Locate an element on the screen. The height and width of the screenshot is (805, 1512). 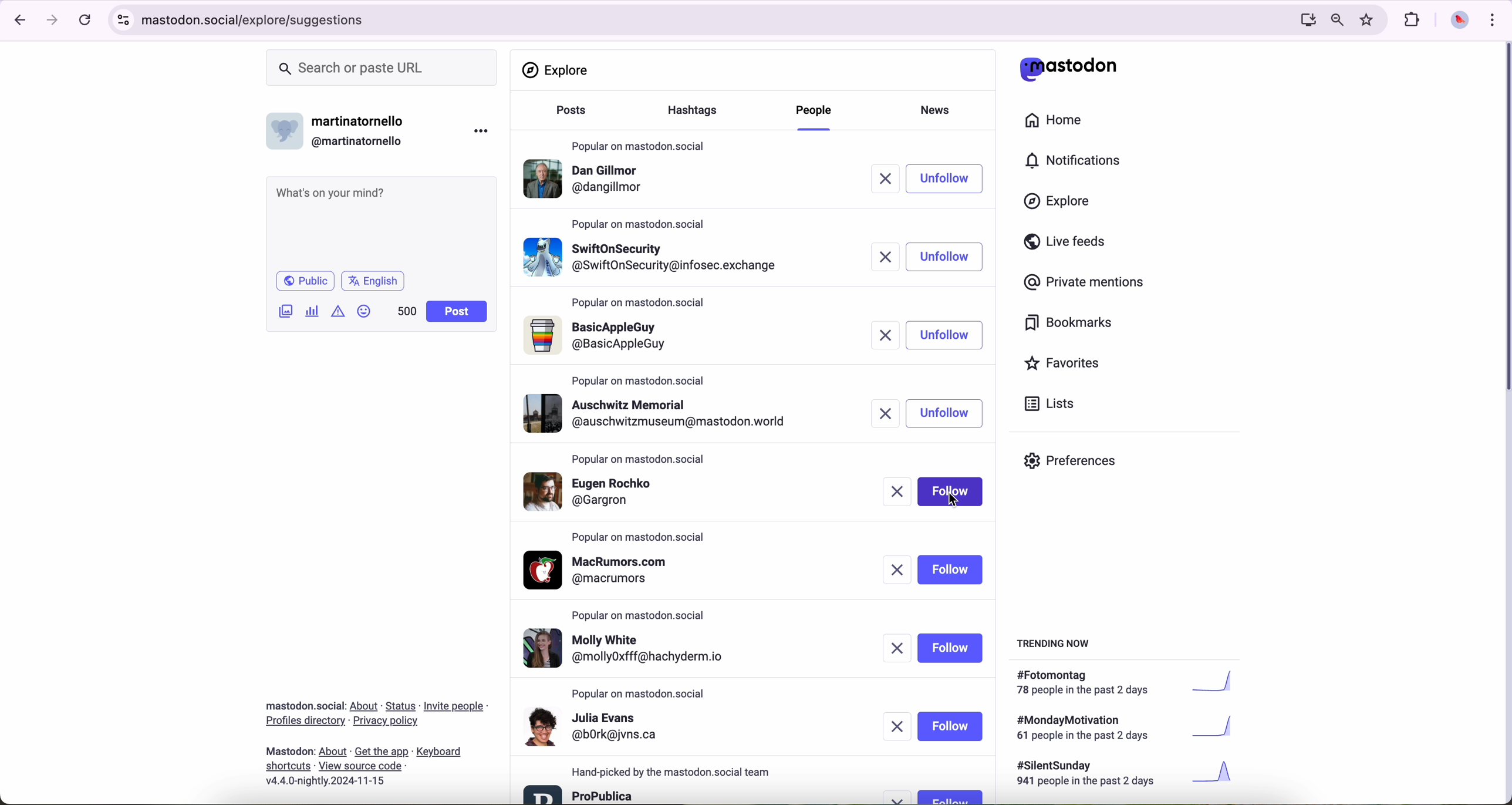
favorites is located at coordinates (1067, 365).